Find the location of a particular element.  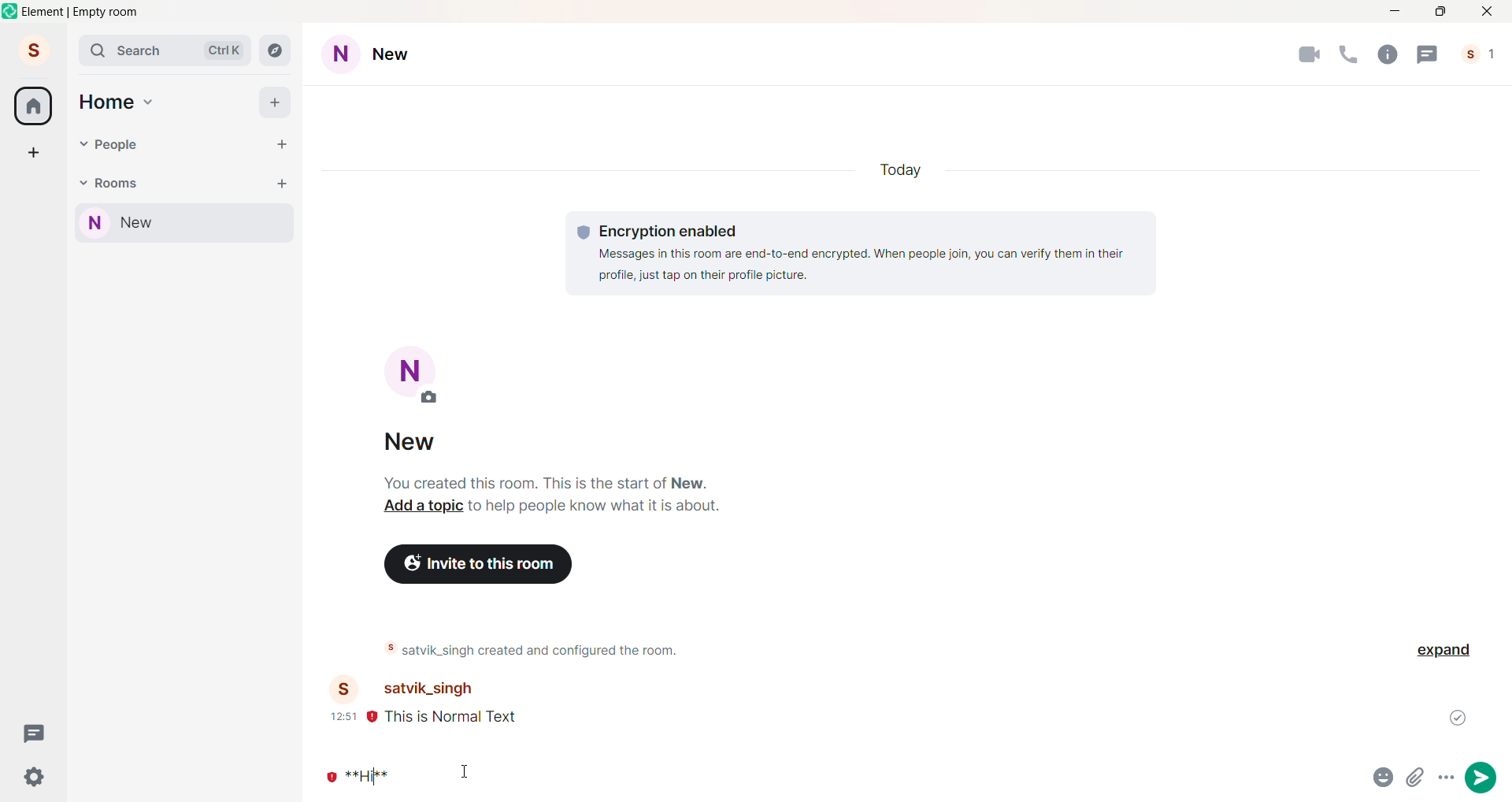

12:51 is located at coordinates (343, 716).